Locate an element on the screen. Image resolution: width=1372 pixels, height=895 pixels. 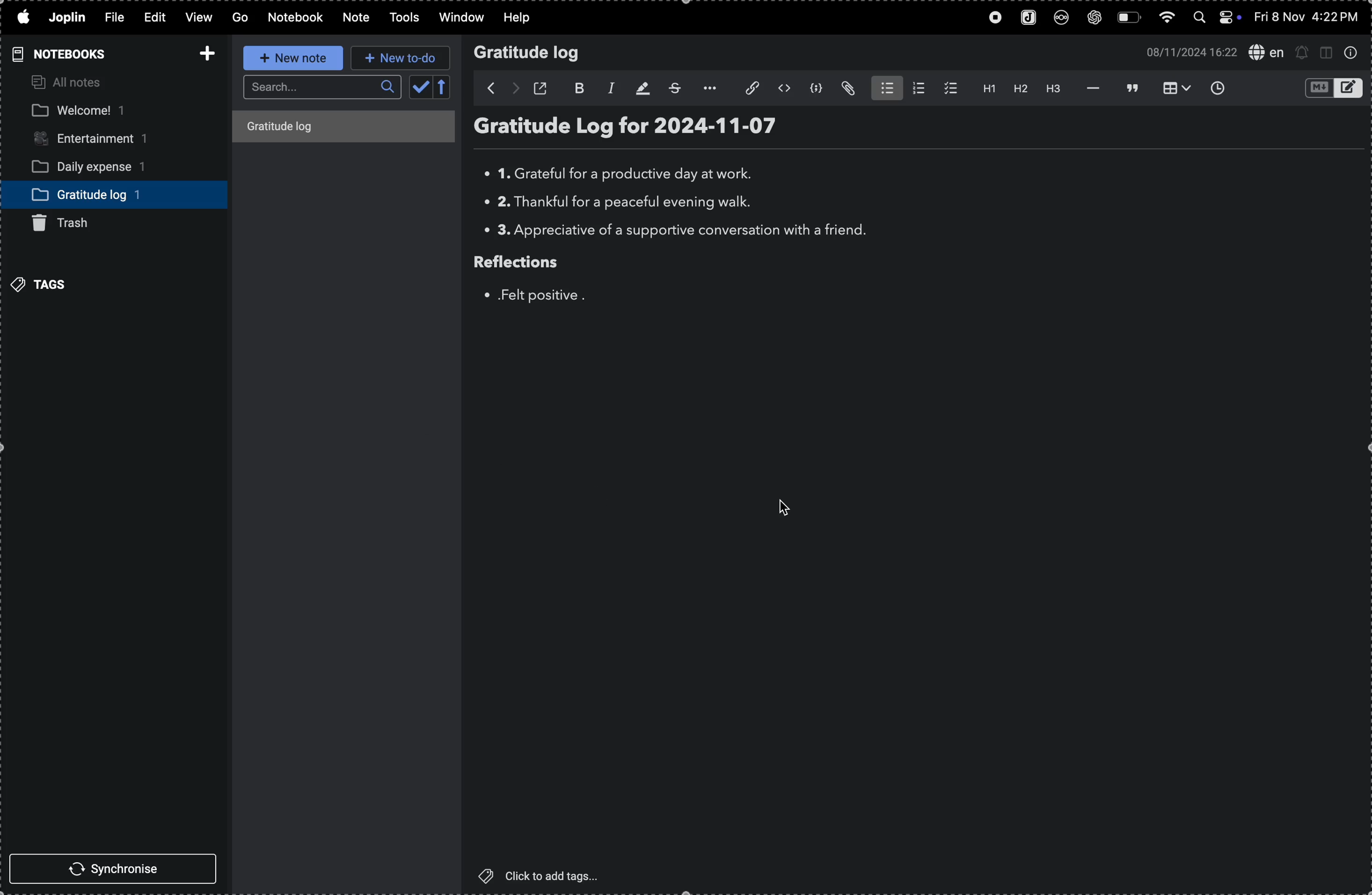
create new alert is located at coordinates (1301, 52).